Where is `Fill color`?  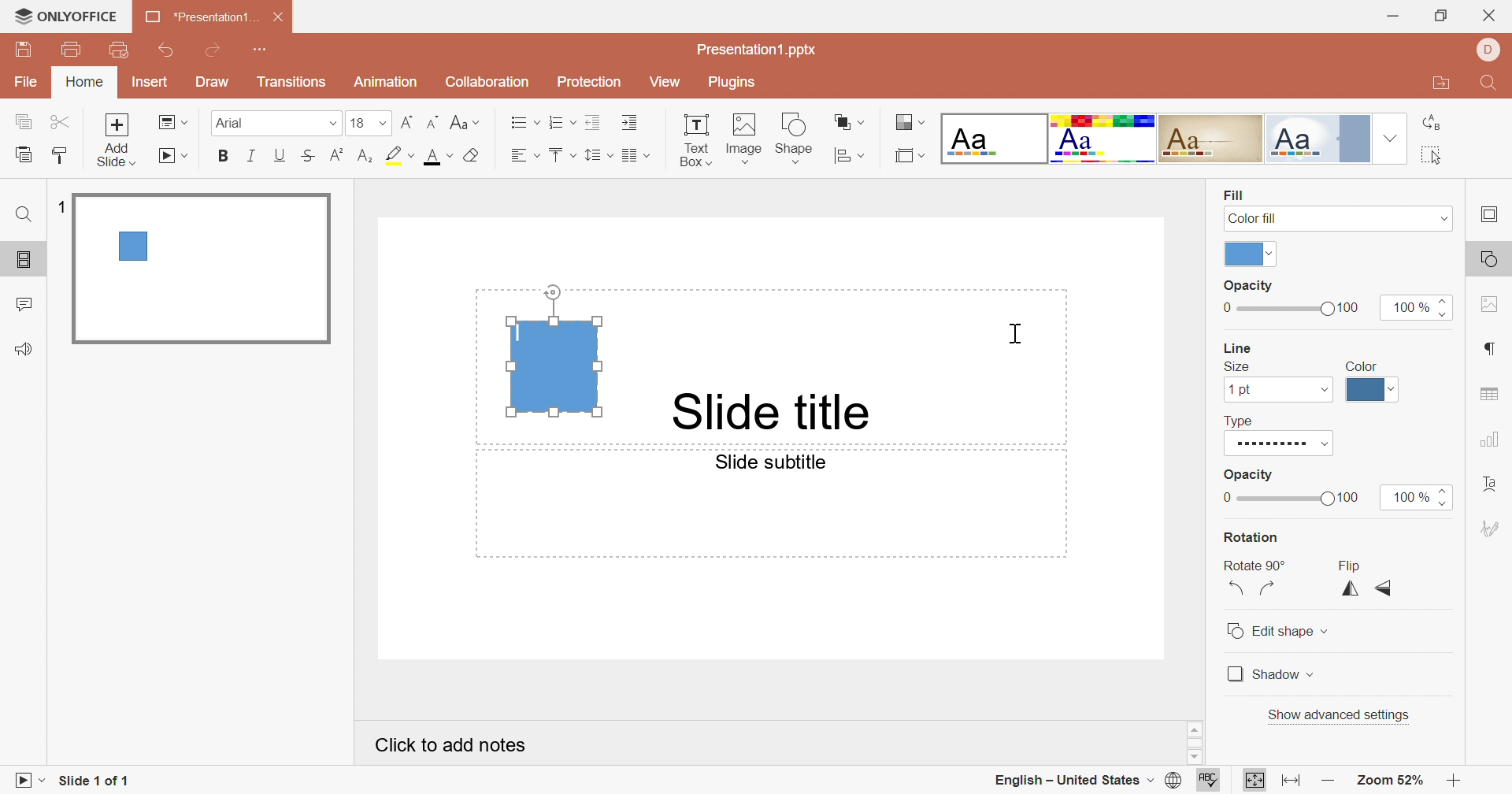 Fill color is located at coordinates (469, 157).